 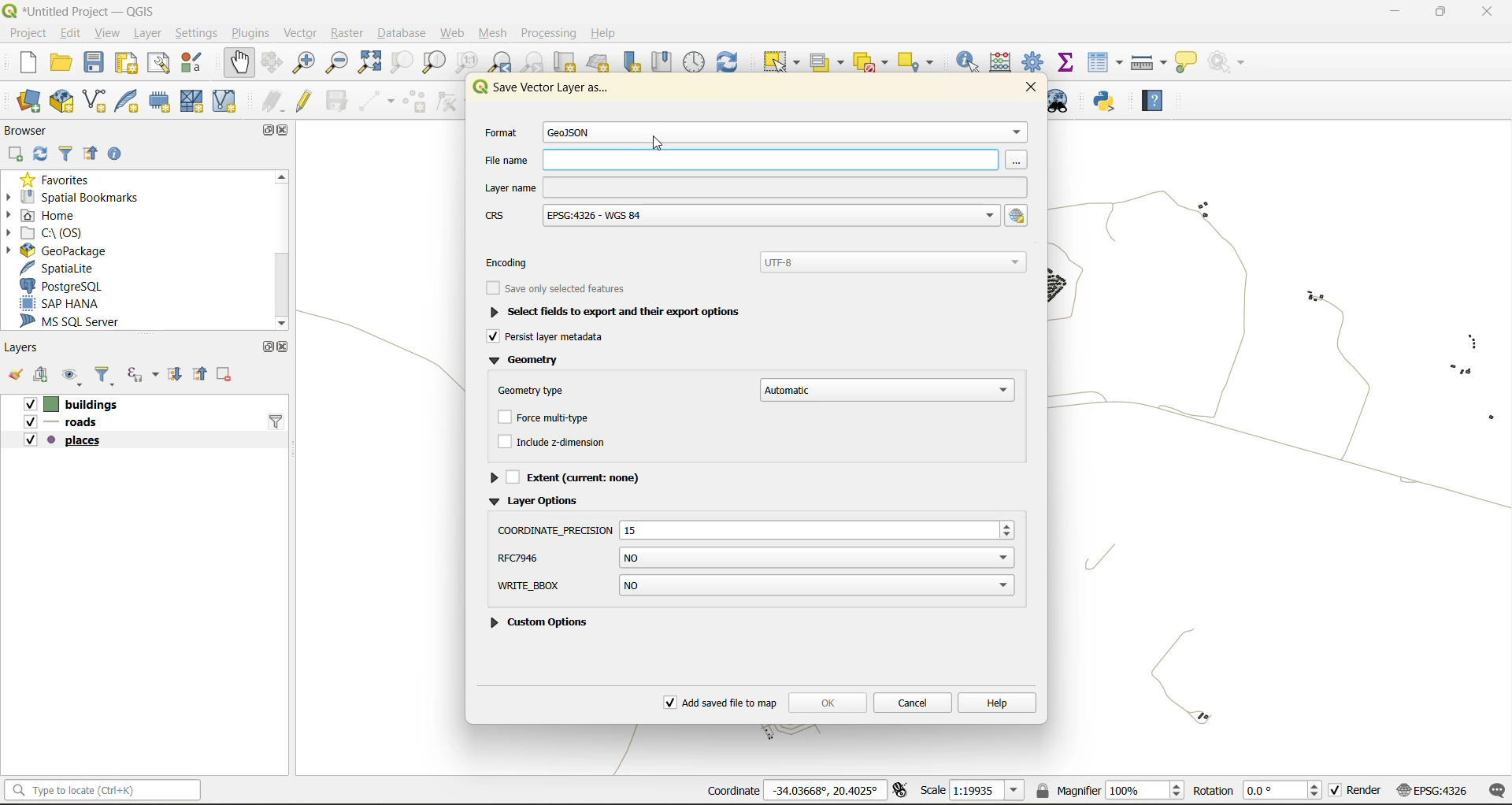 What do you see at coordinates (755, 558) in the screenshot?
I see `rfc7946` at bounding box center [755, 558].